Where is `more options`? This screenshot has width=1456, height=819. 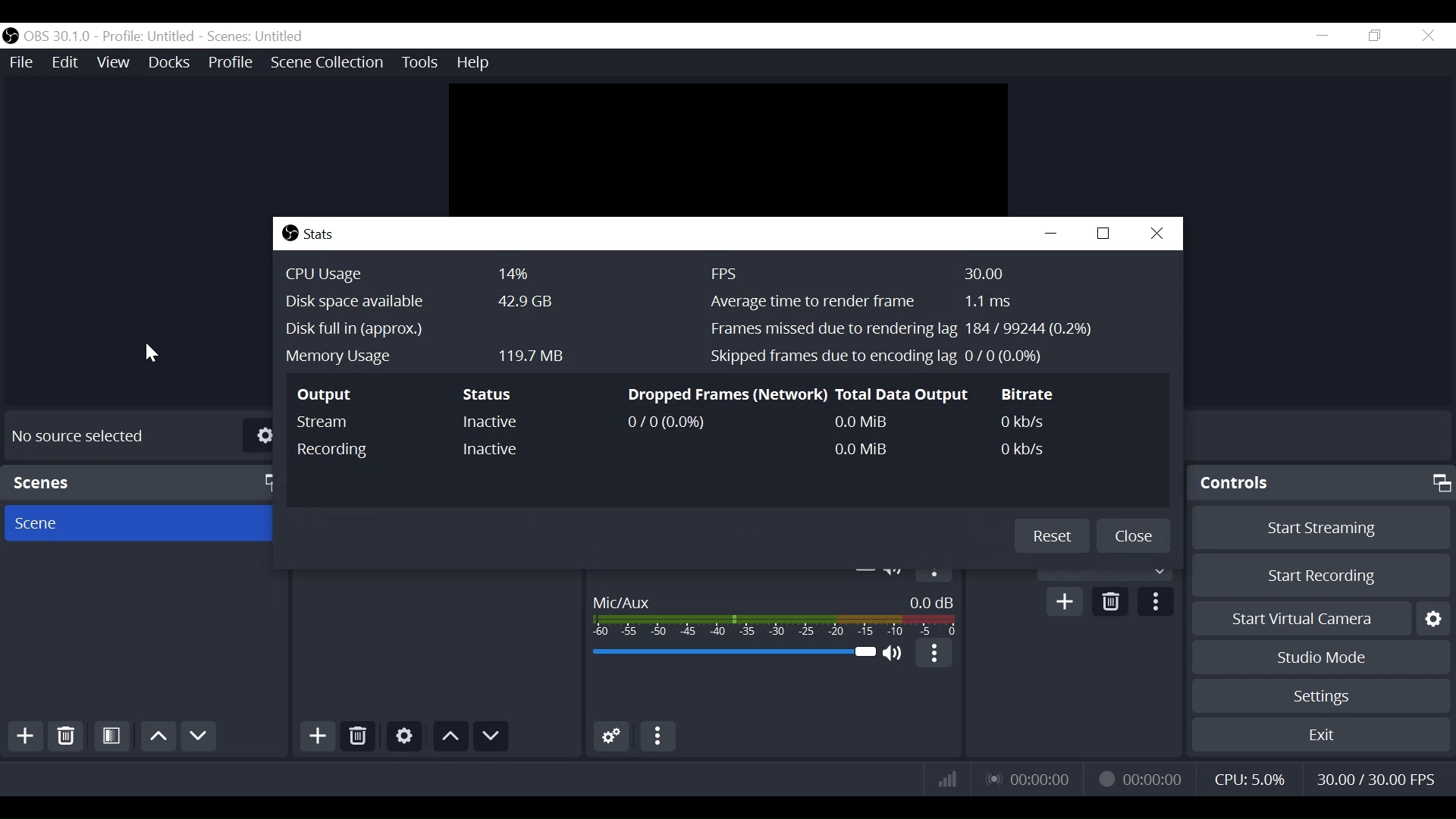 more options is located at coordinates (1153, 604).